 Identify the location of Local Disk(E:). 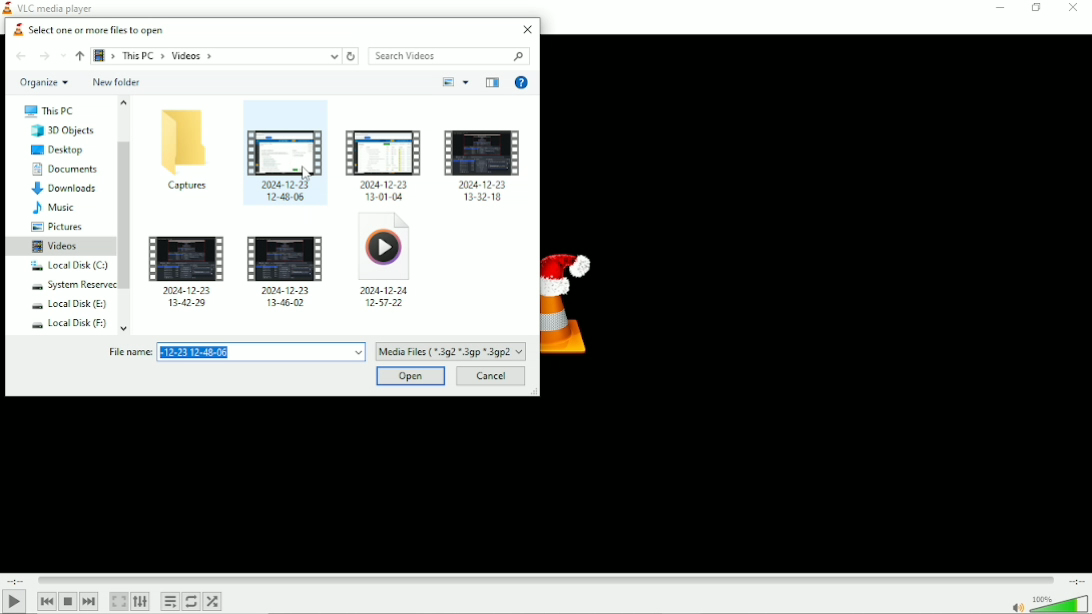
(64, 305).